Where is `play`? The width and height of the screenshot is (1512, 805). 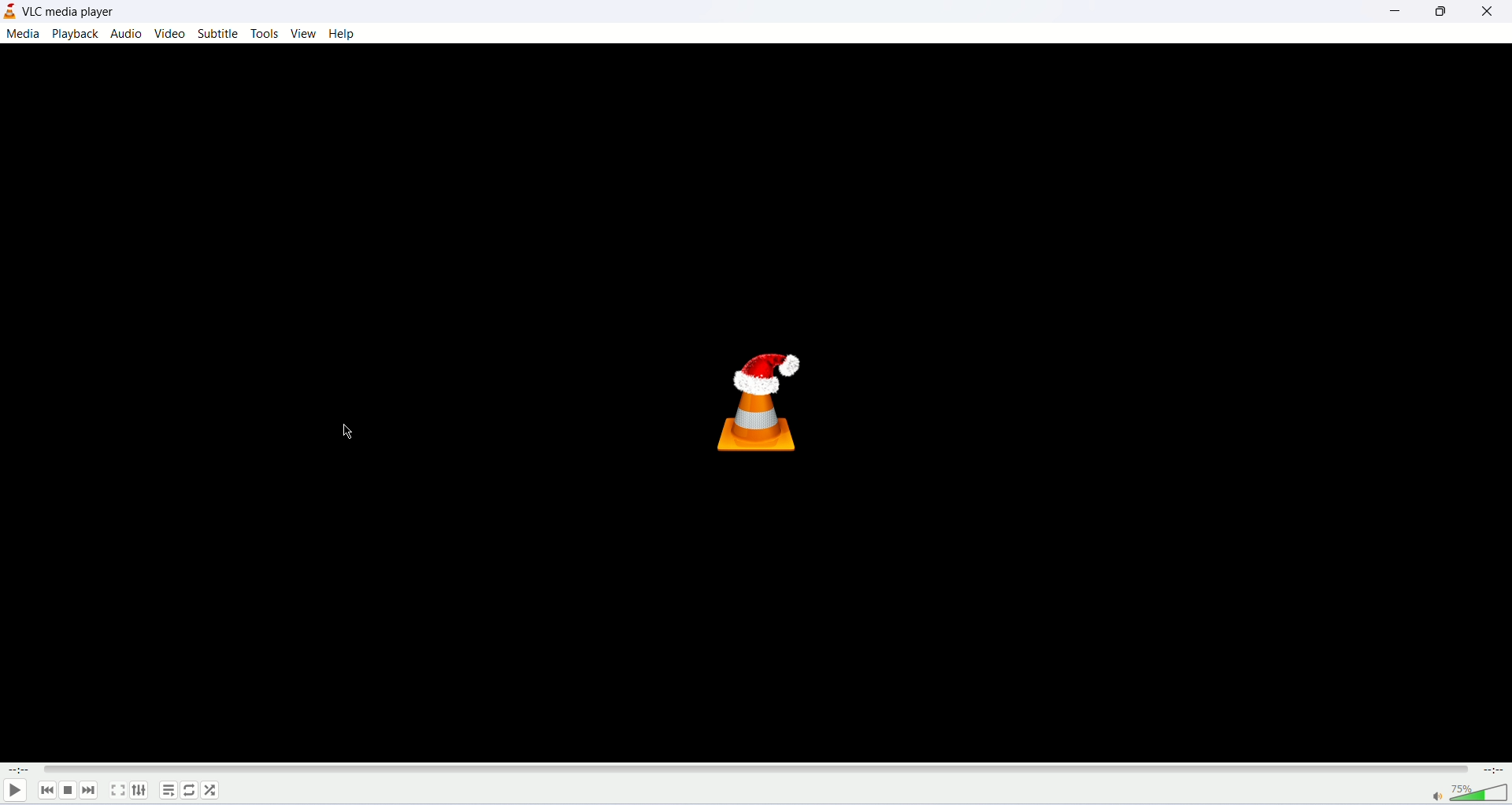 play is located at coordinates (14, 792).